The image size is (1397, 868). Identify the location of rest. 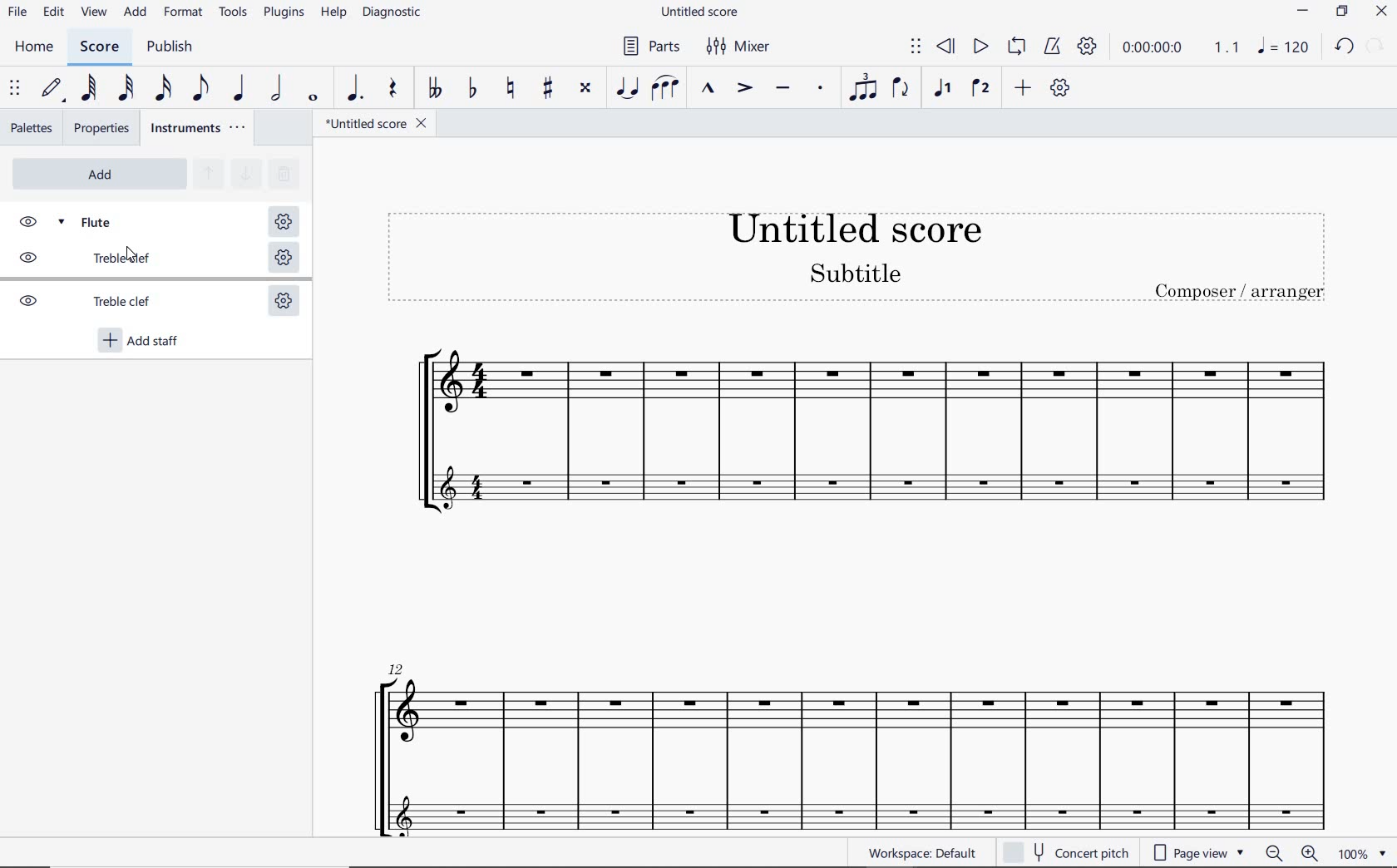
(391, 91).